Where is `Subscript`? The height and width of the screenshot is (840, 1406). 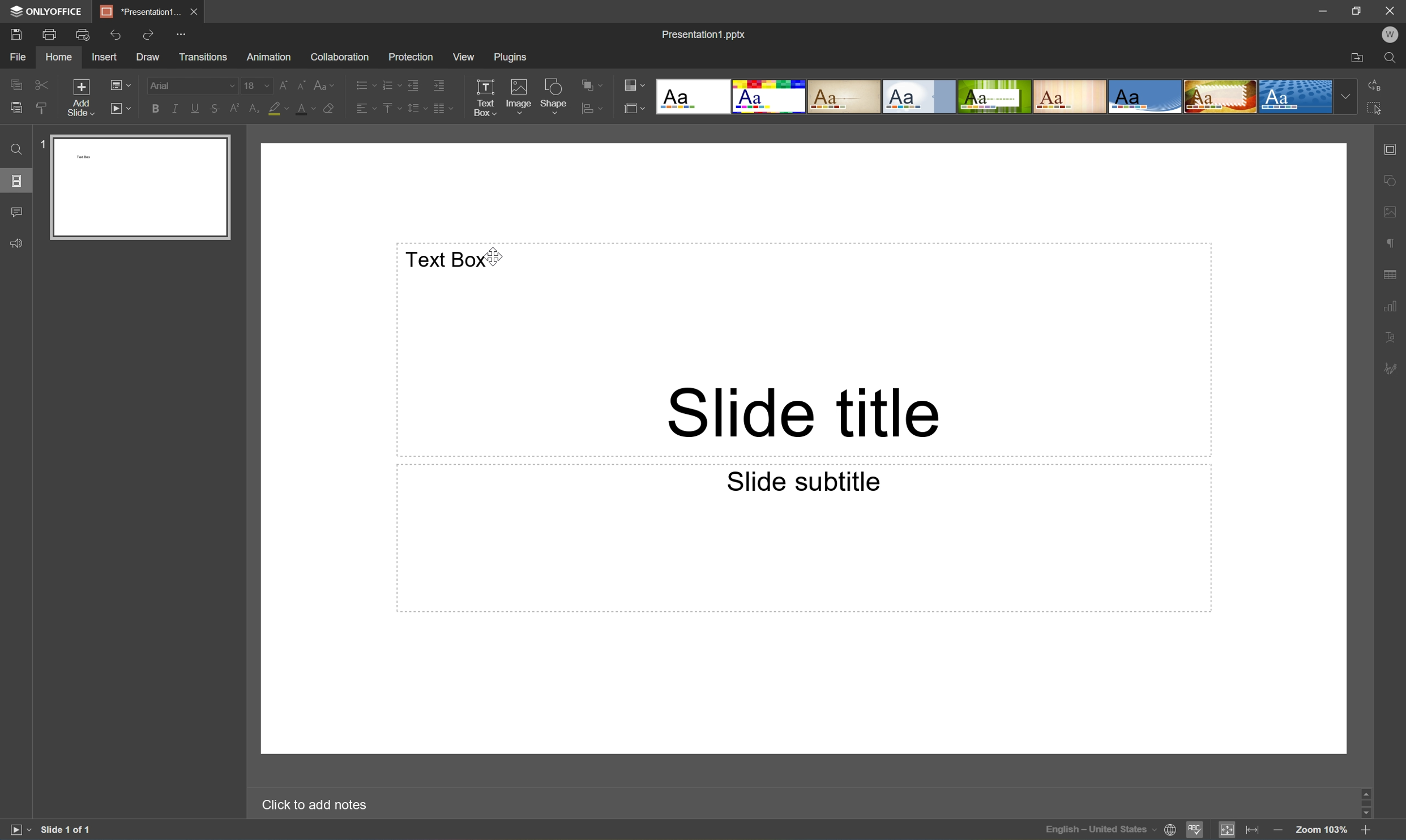
Subscript is located at coordinates (254, 108).